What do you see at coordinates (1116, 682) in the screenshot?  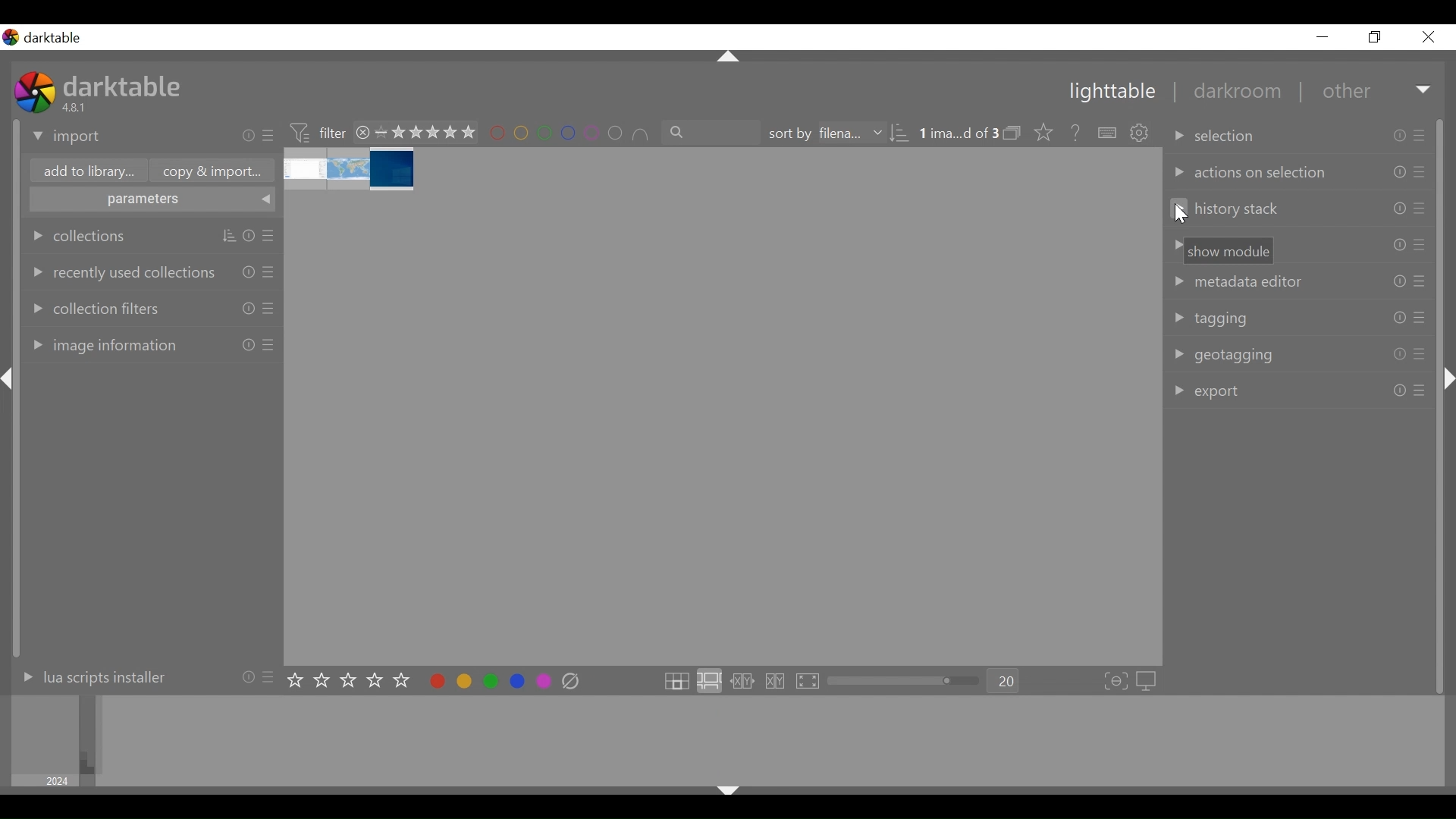 I see `toggle focus-peaking mode` at bounding box center [1116, 682].